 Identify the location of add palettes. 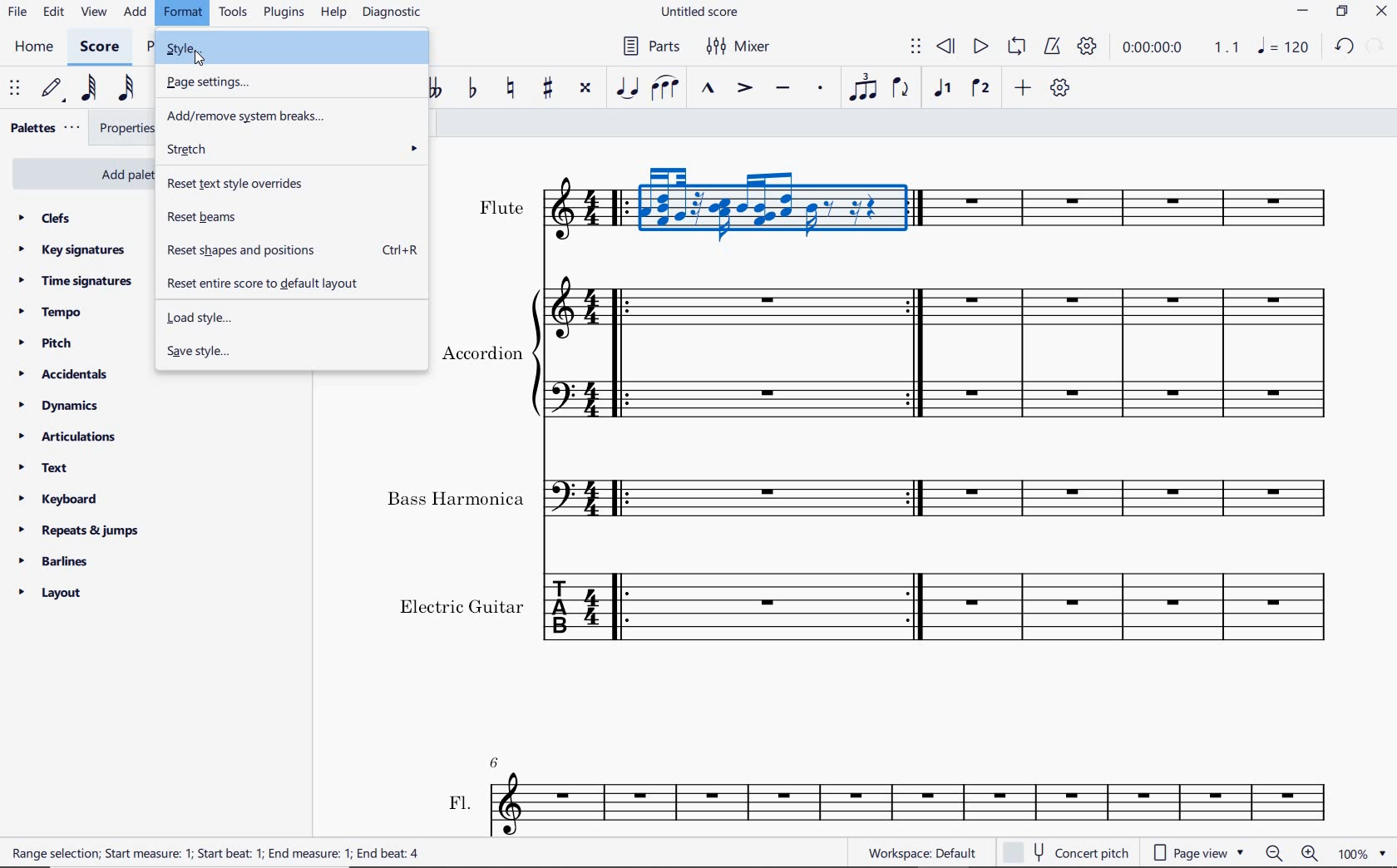
(79, 172).